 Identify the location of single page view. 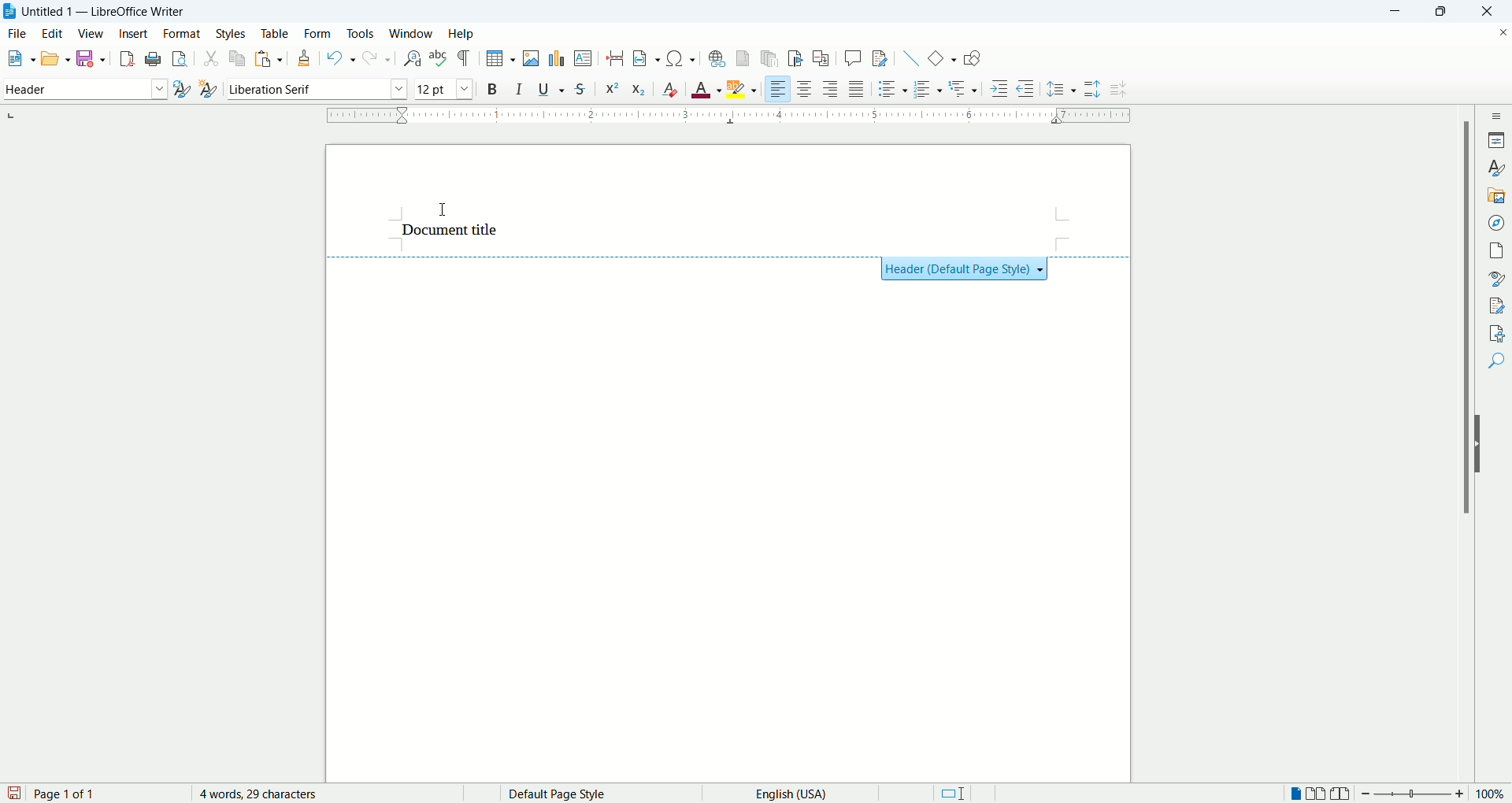
(1295, 794).